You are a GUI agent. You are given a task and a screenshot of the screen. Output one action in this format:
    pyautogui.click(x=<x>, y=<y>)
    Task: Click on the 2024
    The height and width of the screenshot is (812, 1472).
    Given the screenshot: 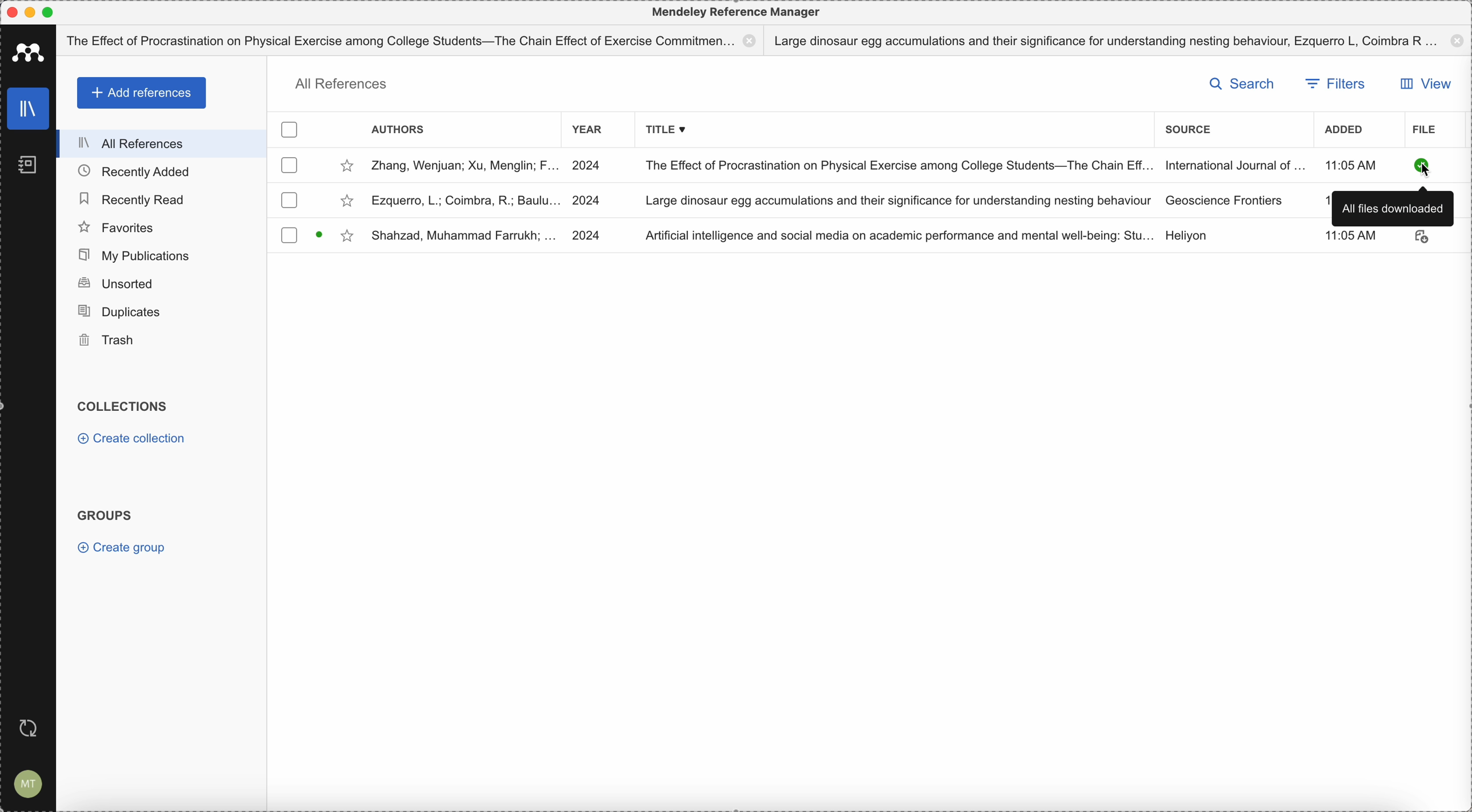 What is the action you would take?
    pyautogui.click(x=587, y=236)
    